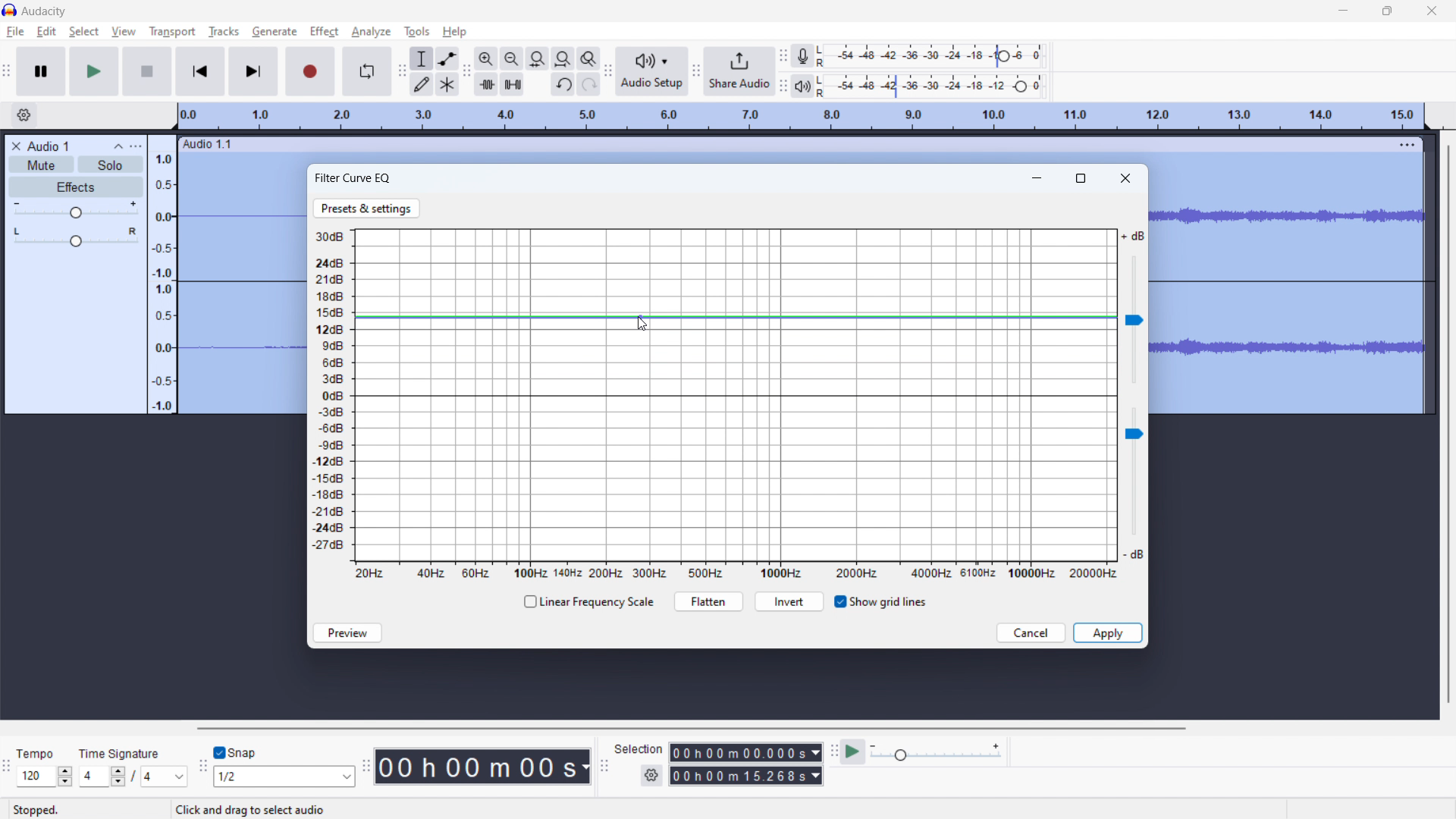  What do you see at coordinates (807, 55) in the screenshot?
I see `recording meter` at bounding box center [807, 55].